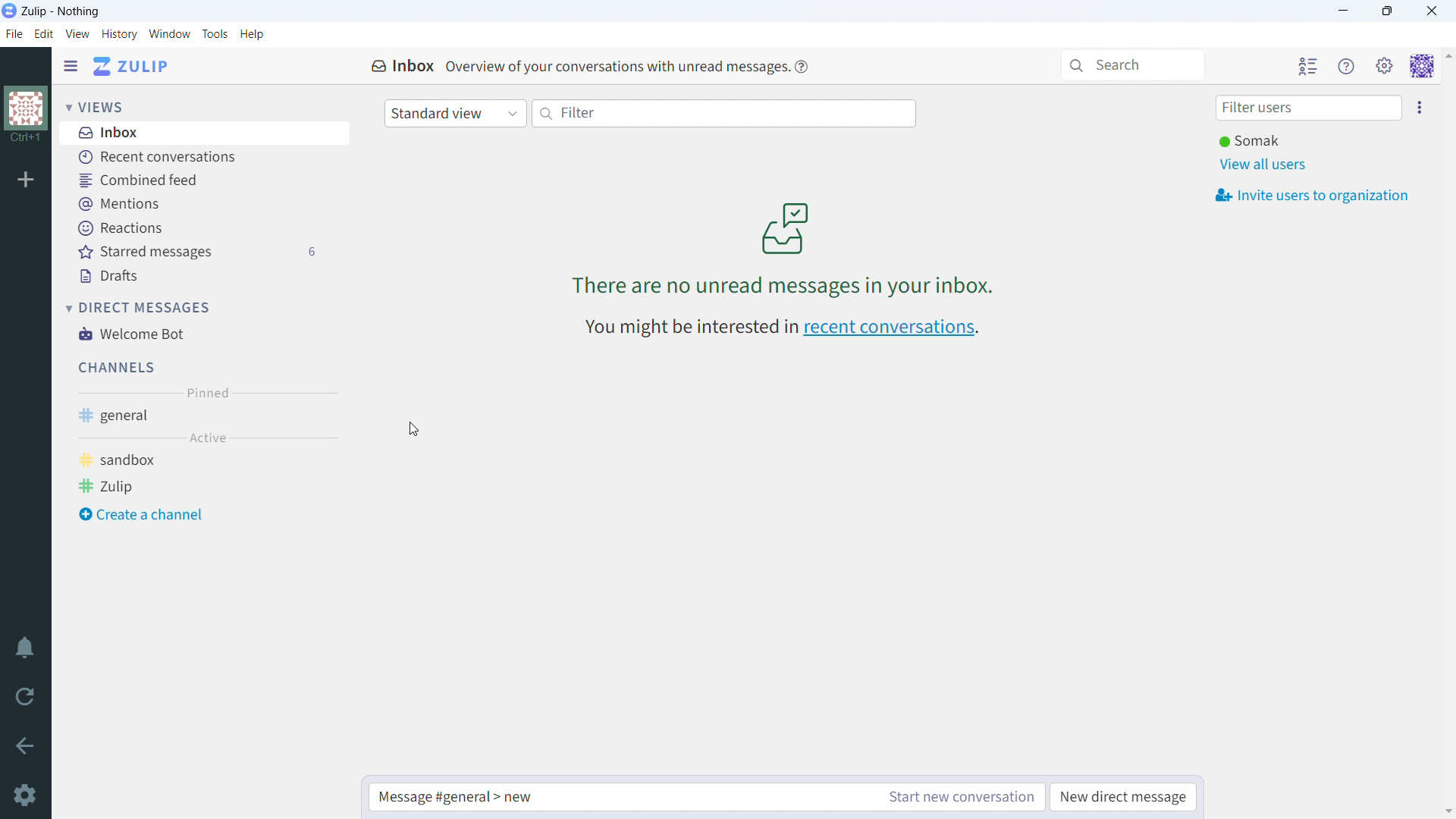 The width and height of the screenshot is (1456, 819). I want to click on reload, so click(25, 695).